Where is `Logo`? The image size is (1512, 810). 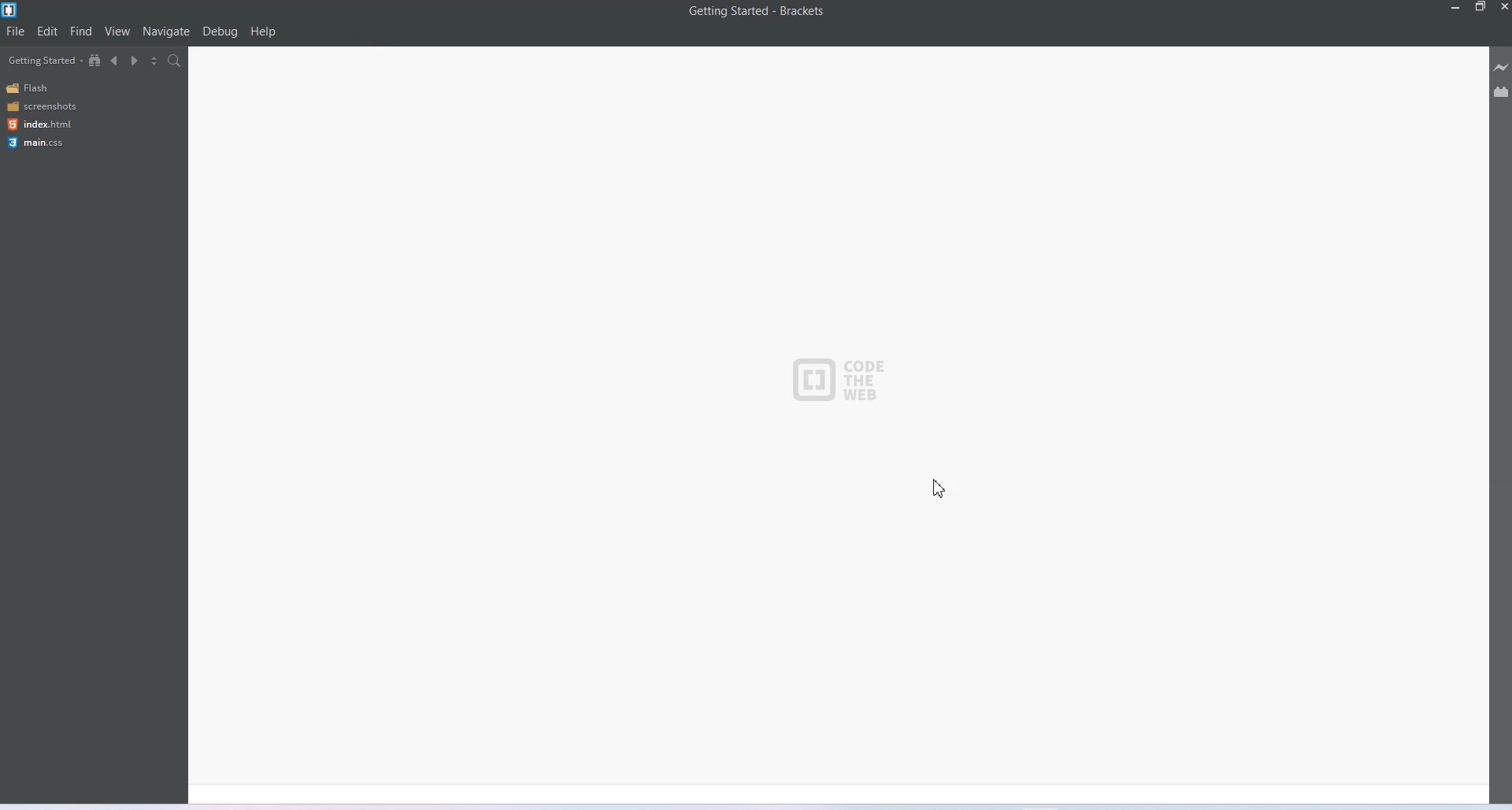
Logo is located at coordinates (838, 373).